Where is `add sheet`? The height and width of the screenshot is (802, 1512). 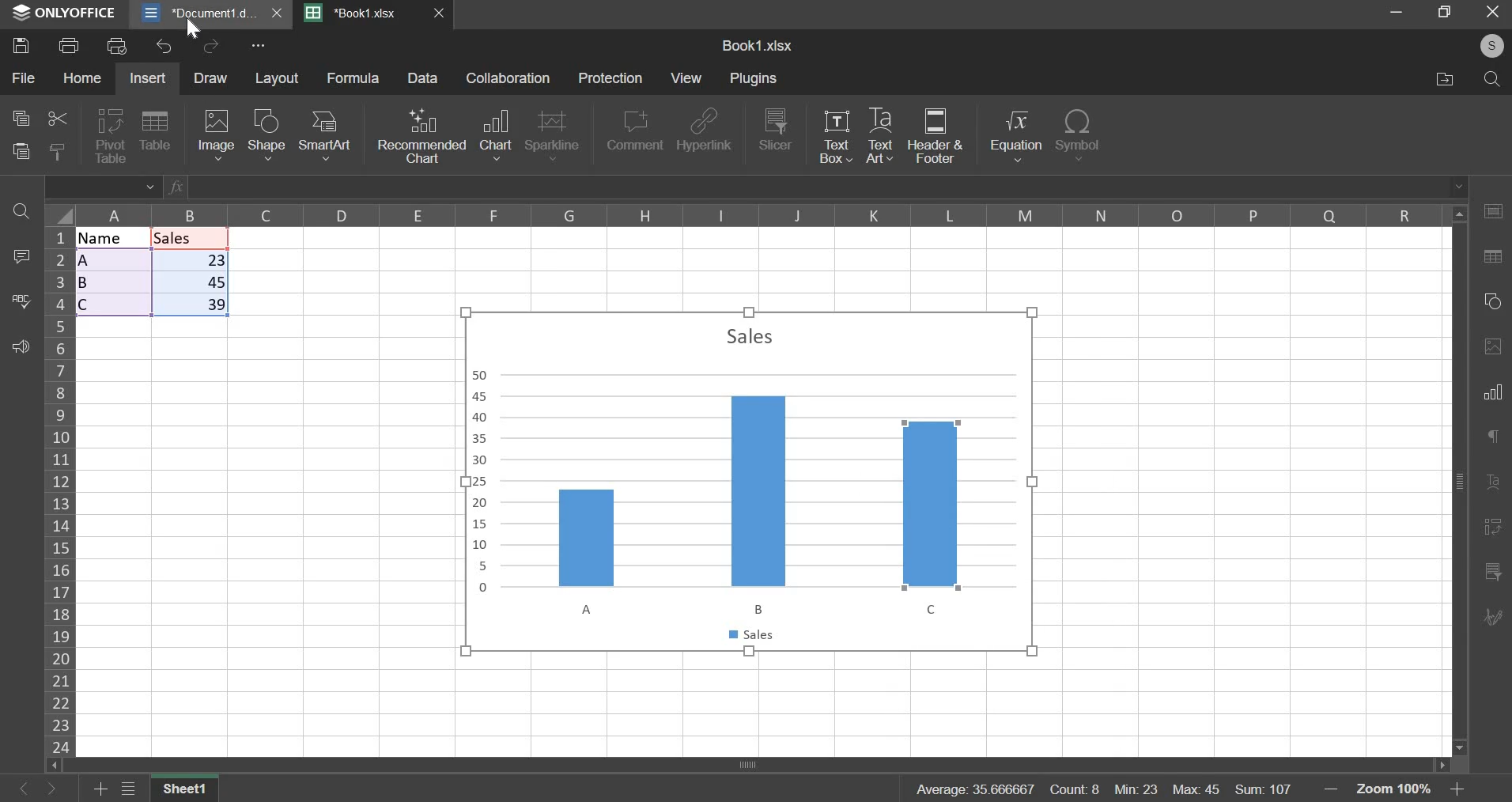 add sheet is located at coordinates (97, 791).